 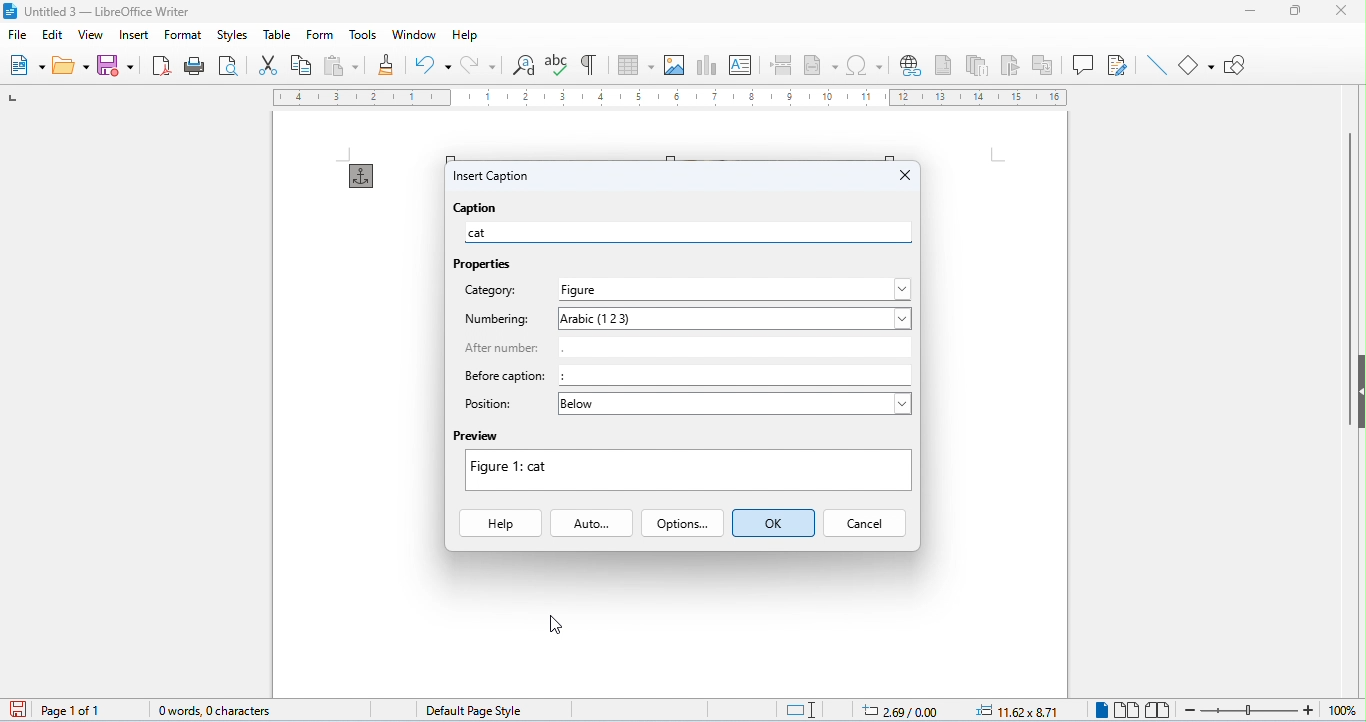 I want to click on basic shapes, so click(x=1198, y=64).